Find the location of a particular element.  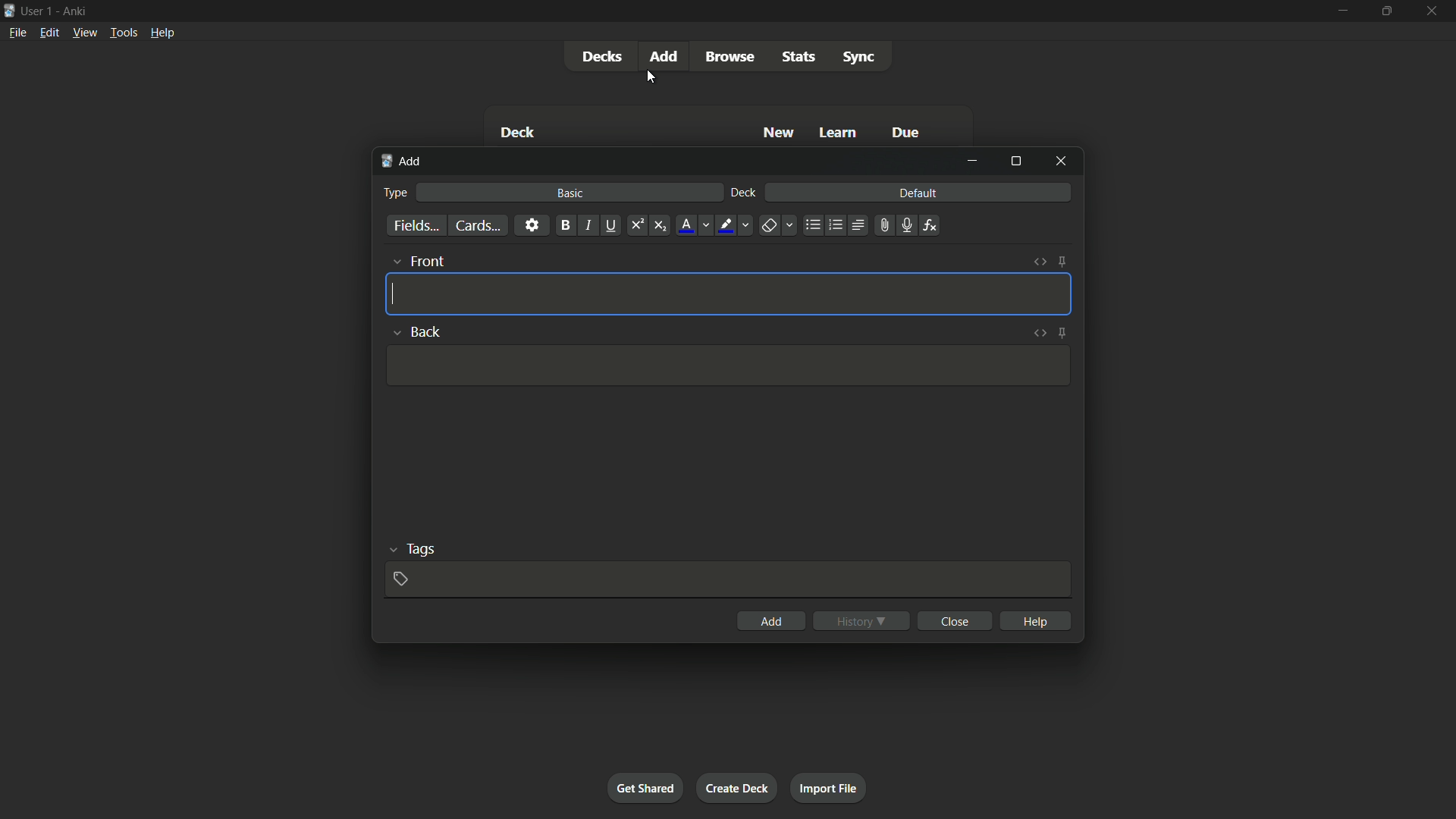

underline is located at coordinates (610, 225).